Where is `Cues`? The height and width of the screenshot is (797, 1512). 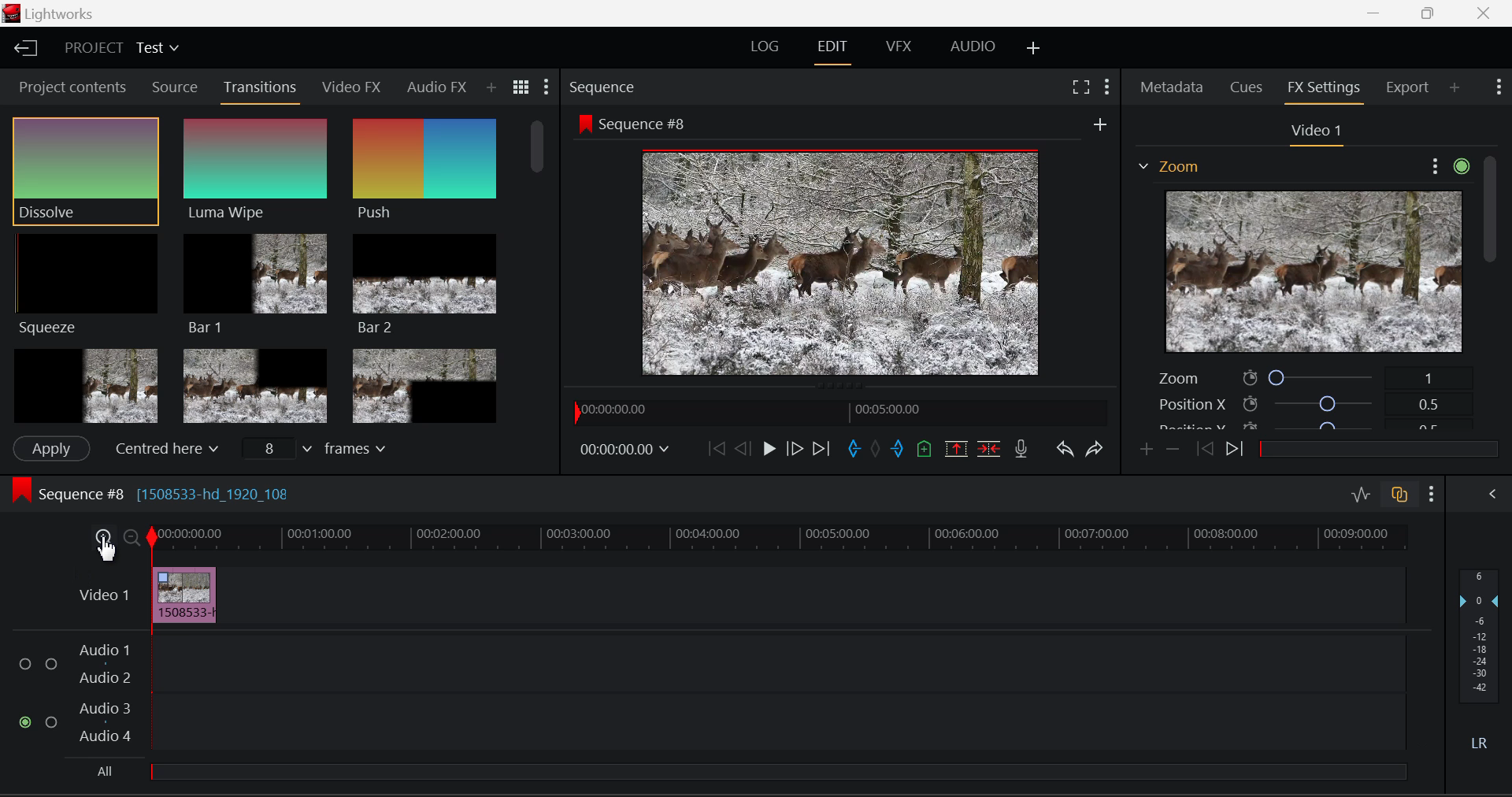 Cues is located at coordinates (1246, 86).